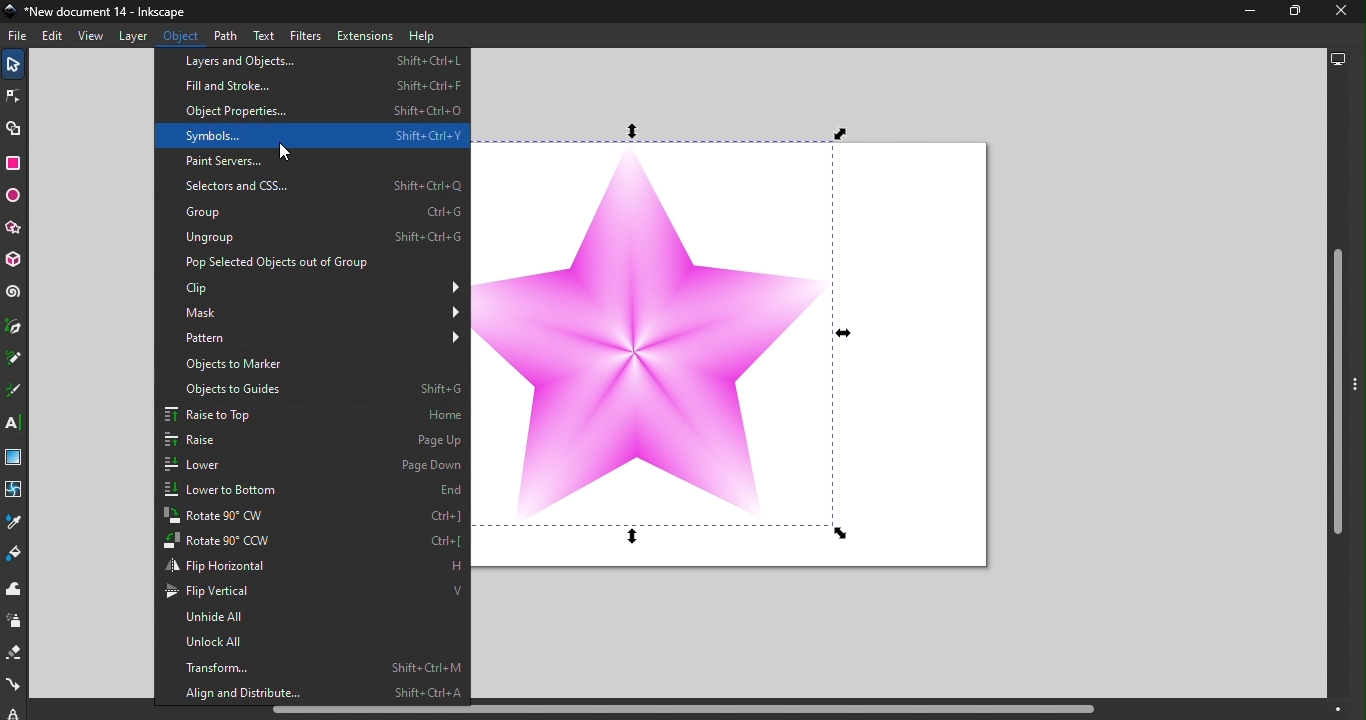 Image resolution: width=1366 pixels, height=720 pixels. I want to click on Paint servers, so click(310, 161).